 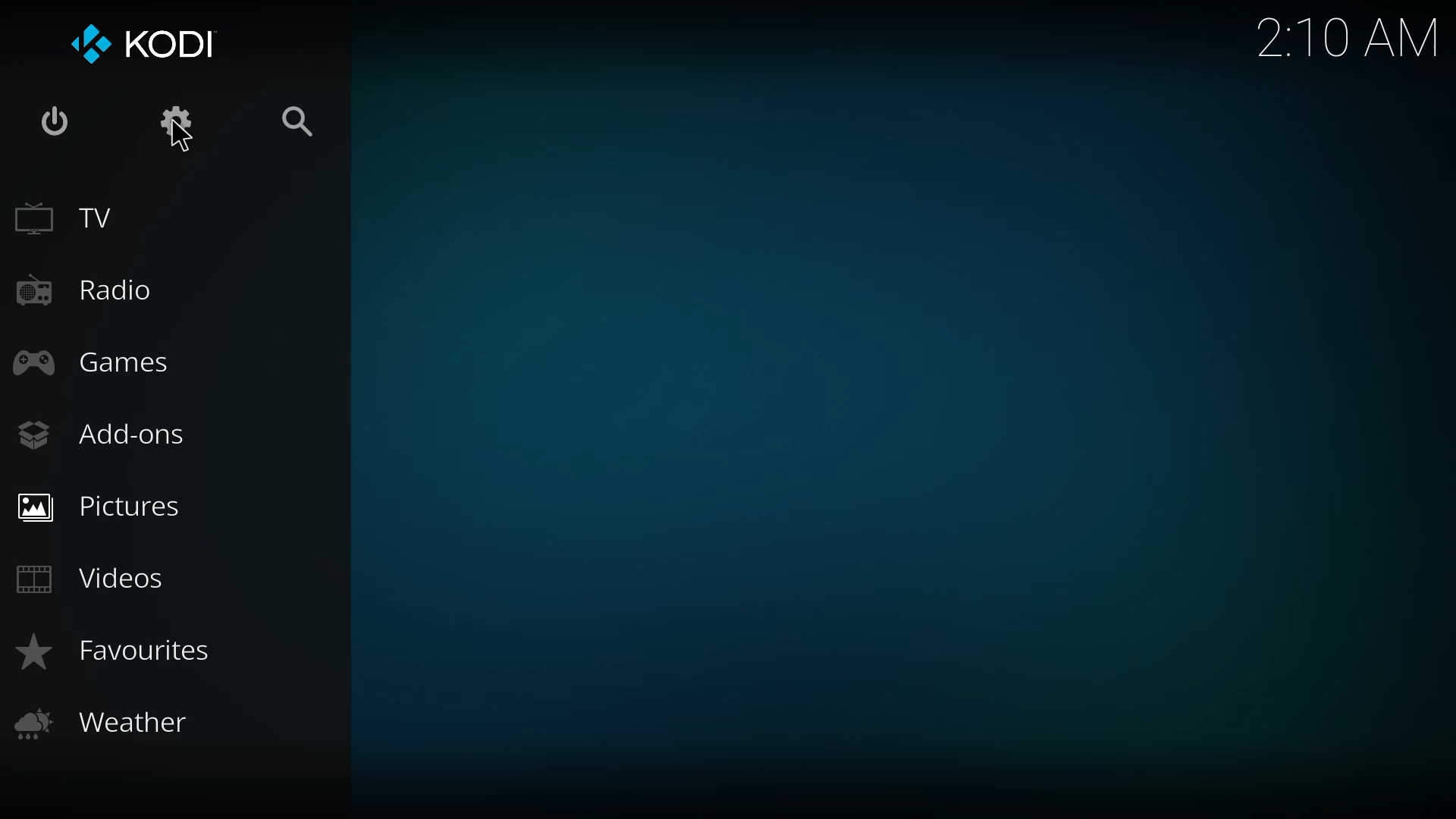 I want to click on power, so click(x=55, y=123).